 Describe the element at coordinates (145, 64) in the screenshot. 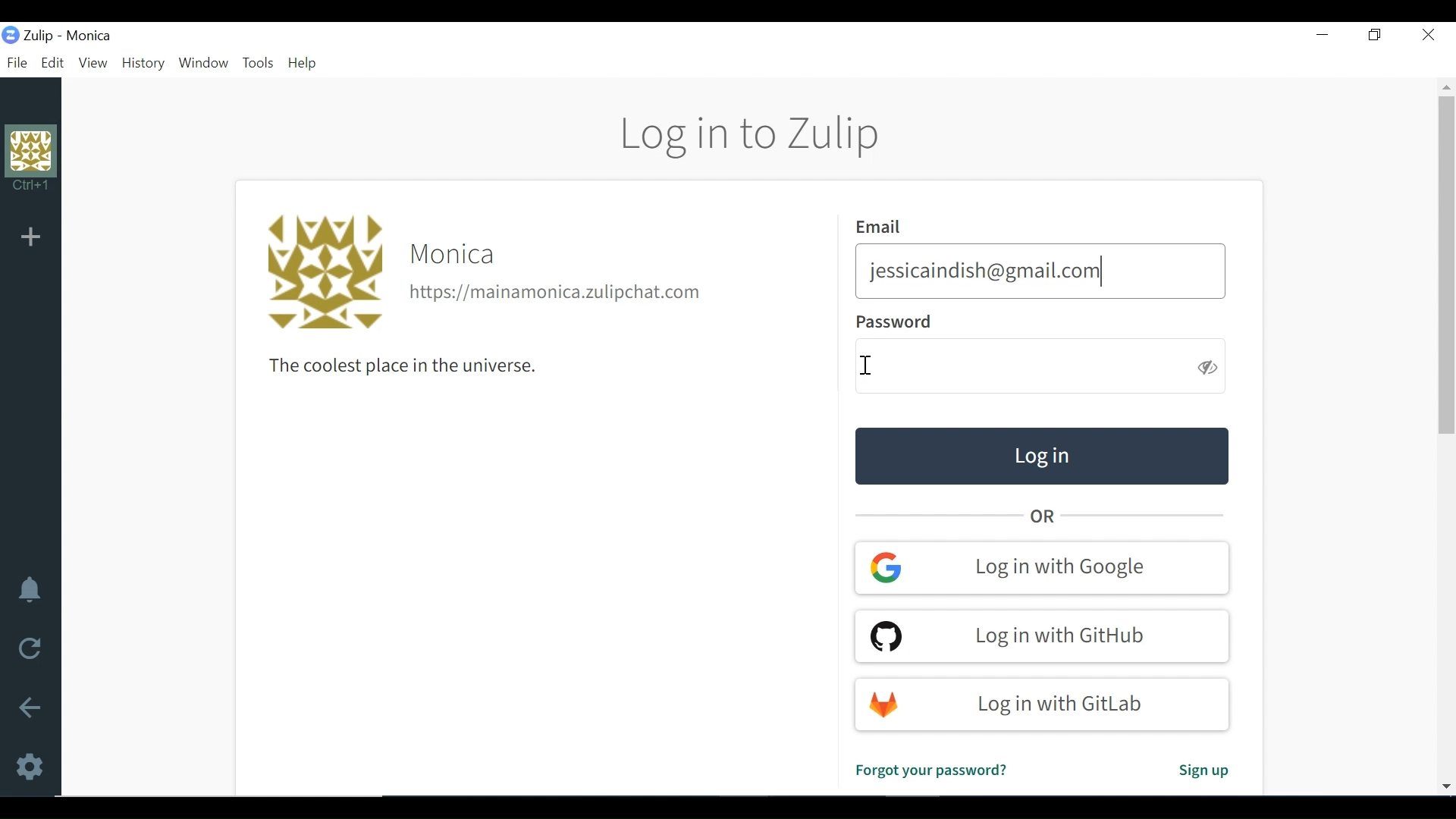

I see `History` at that location.